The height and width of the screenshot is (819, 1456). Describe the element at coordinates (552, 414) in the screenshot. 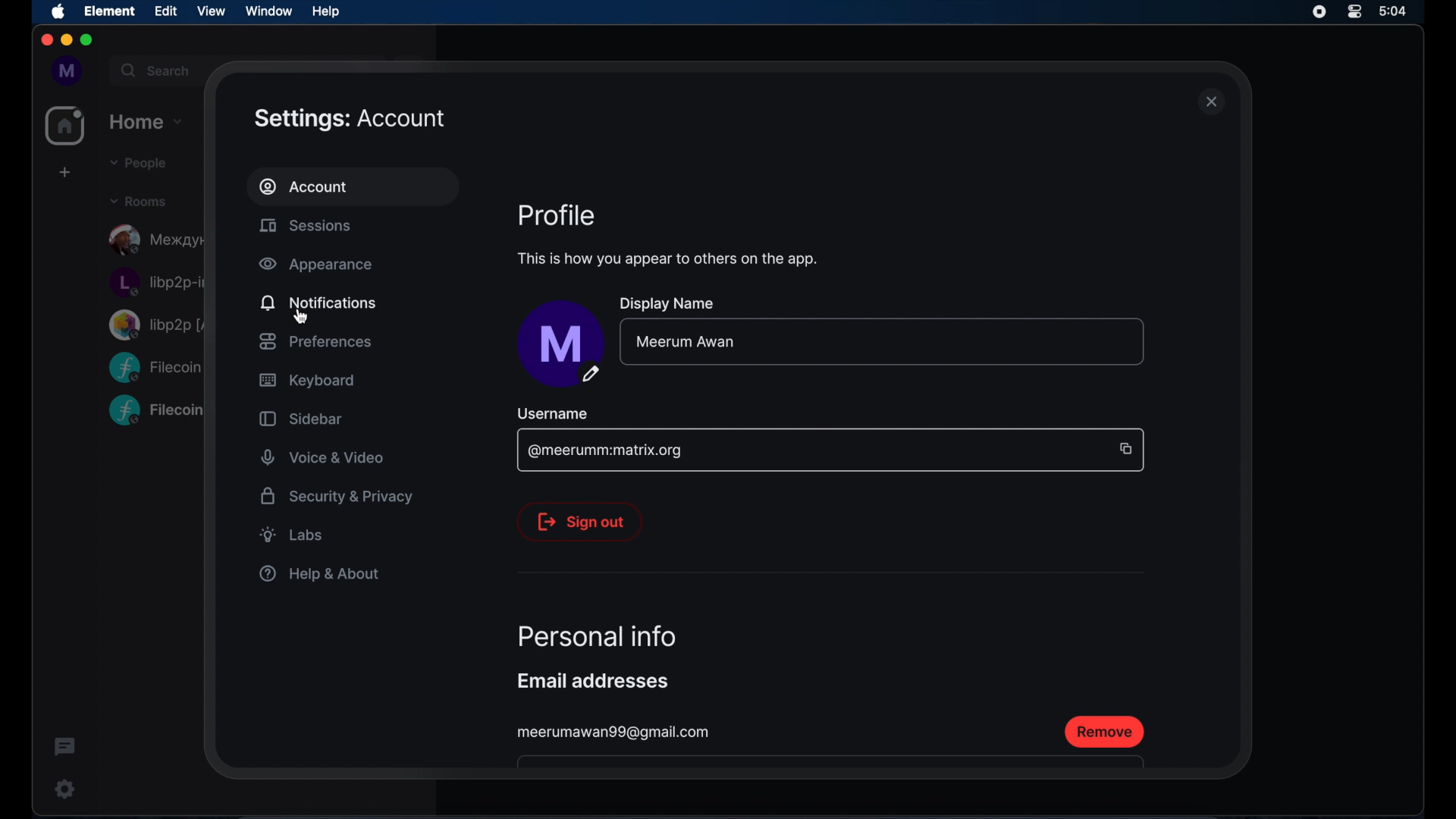

I see `username` at that location.